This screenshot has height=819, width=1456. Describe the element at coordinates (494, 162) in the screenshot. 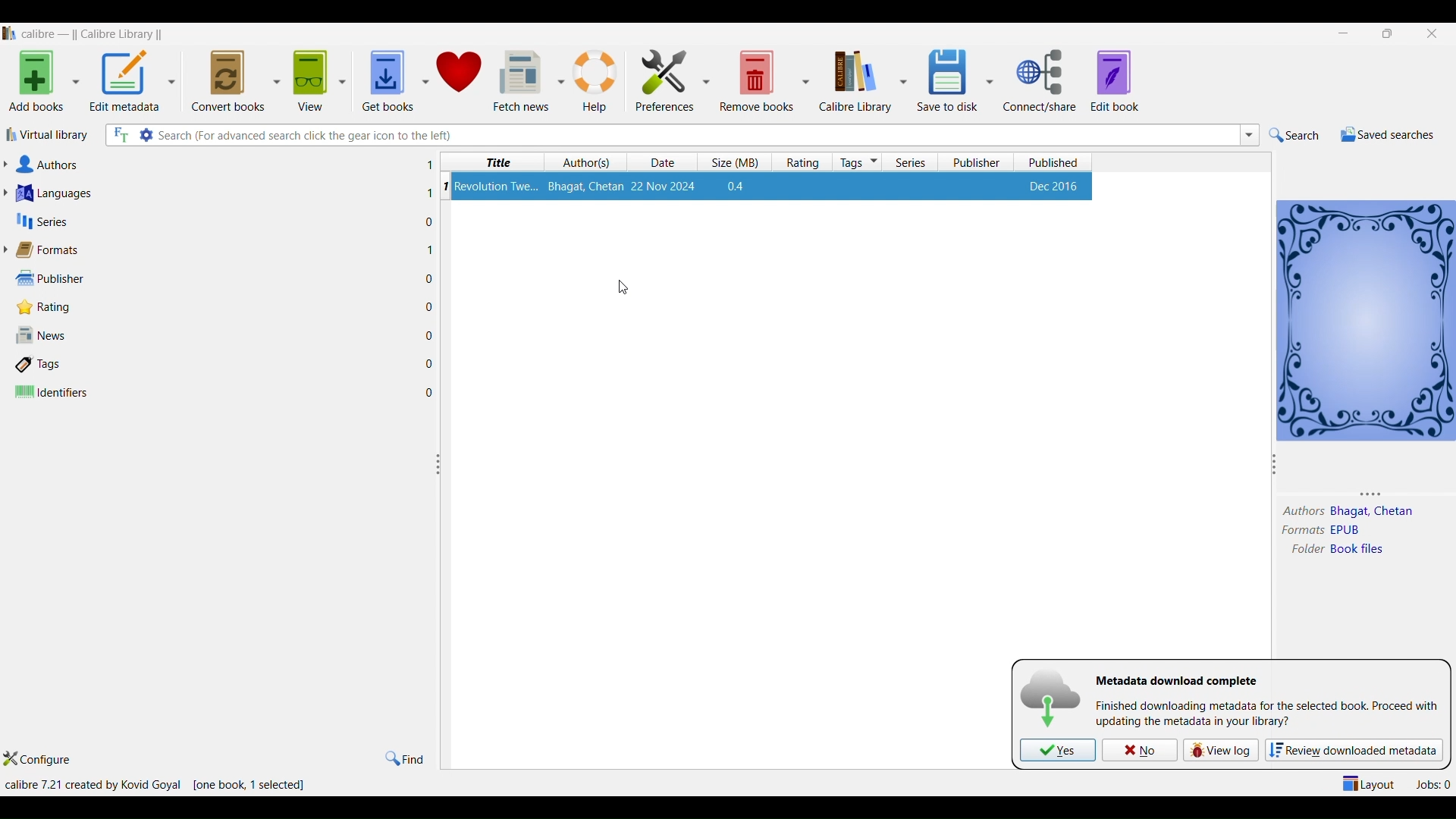

I see `title` at that location.